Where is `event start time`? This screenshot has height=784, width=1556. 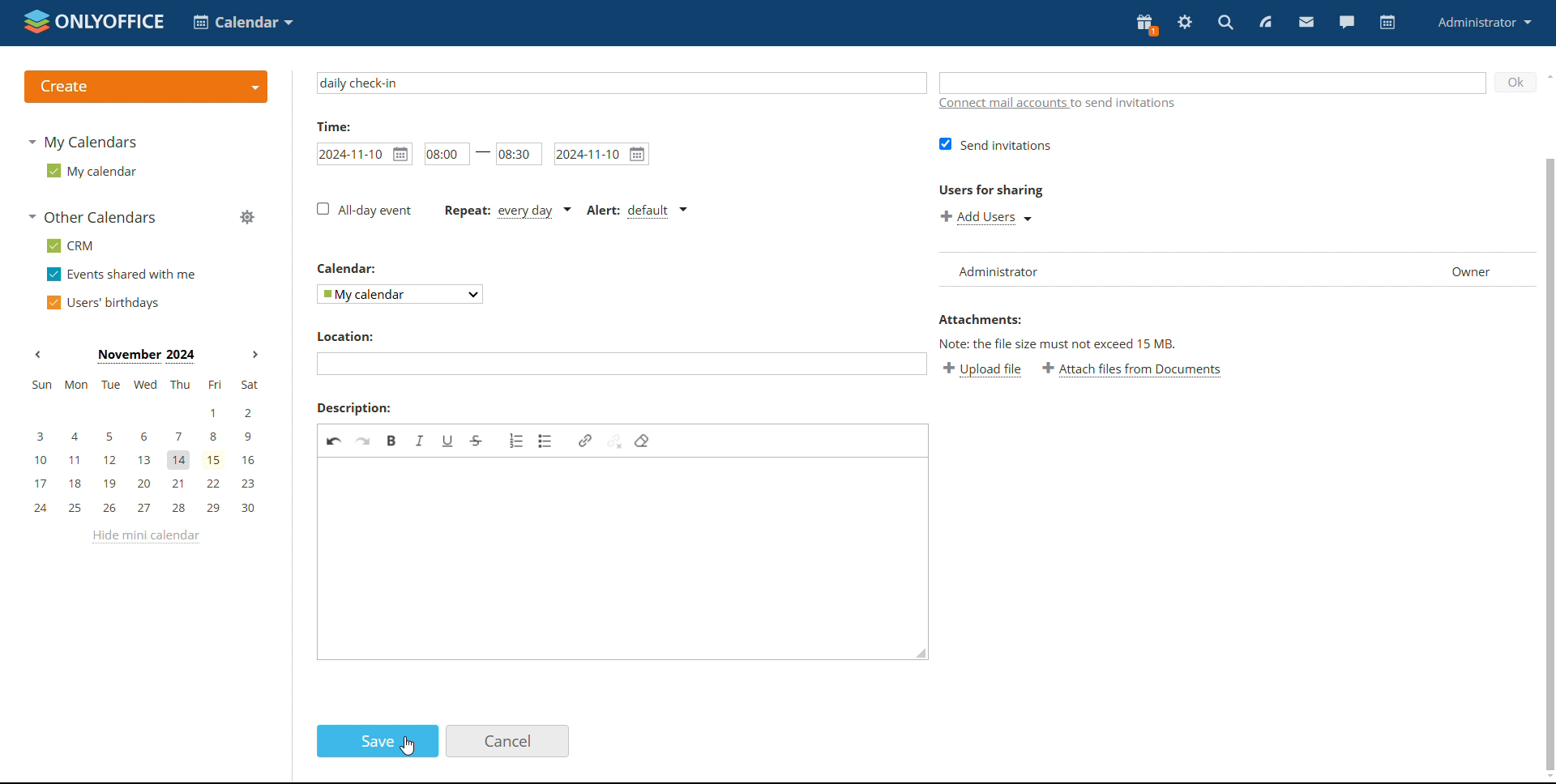
event start time is located at coordinates (441, 154).